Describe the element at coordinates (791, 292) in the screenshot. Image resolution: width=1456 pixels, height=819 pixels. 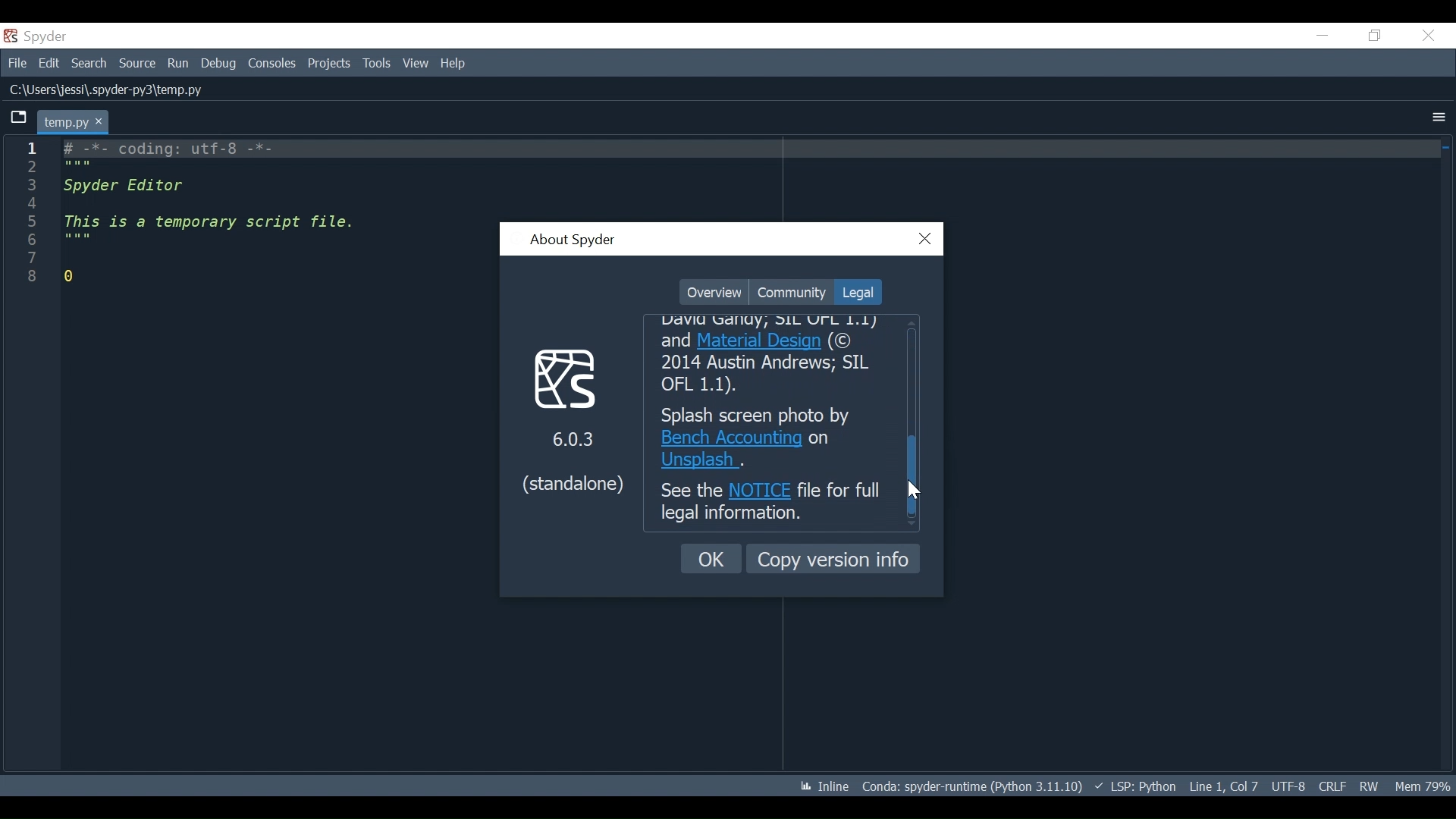
I see `Community` at that location.